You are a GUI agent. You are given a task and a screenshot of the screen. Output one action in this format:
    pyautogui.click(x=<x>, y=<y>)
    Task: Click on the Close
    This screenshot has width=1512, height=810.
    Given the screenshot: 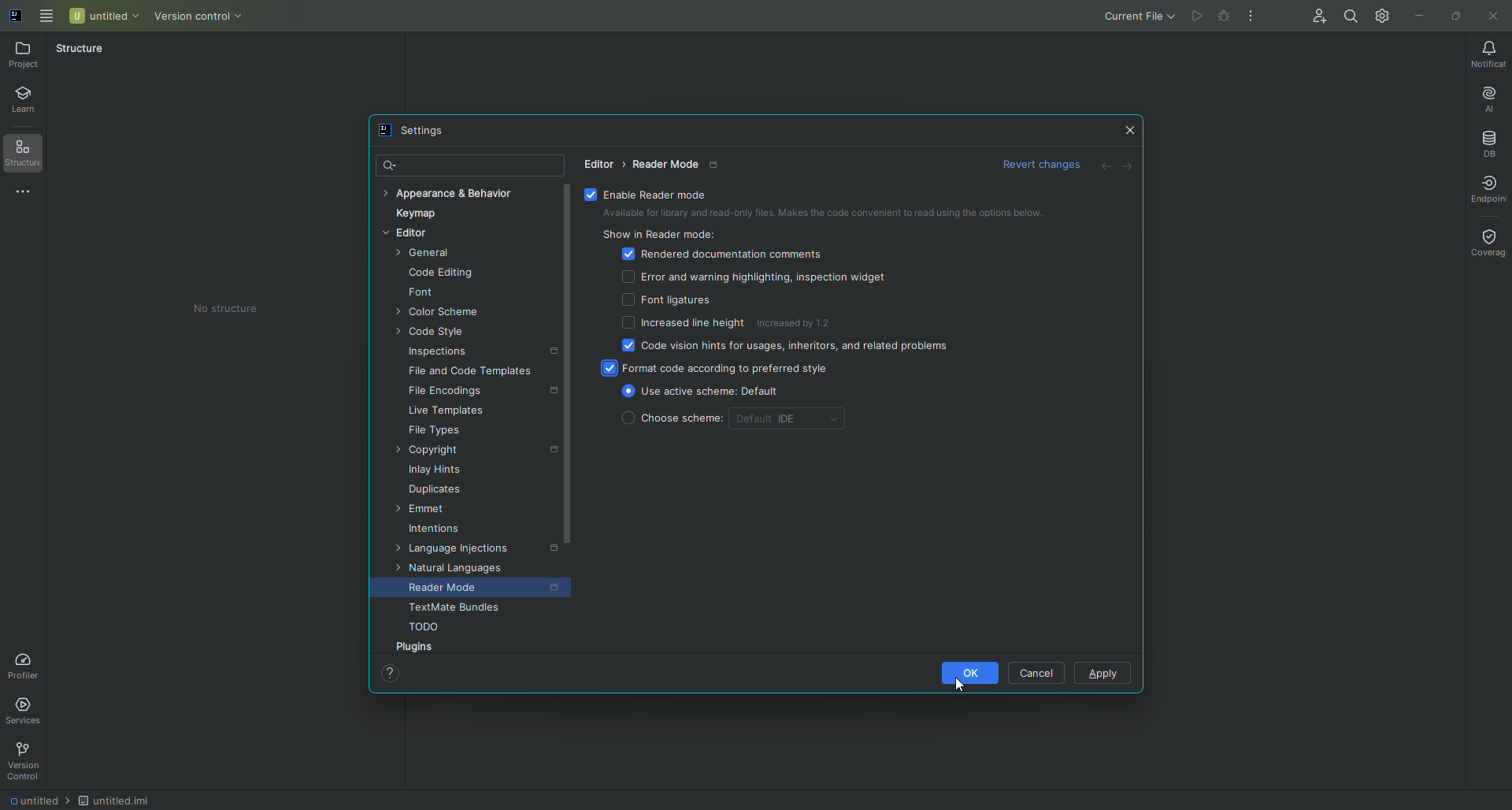 What is the action you would take?
    pyautogui.click(x=1495, y=16)
    